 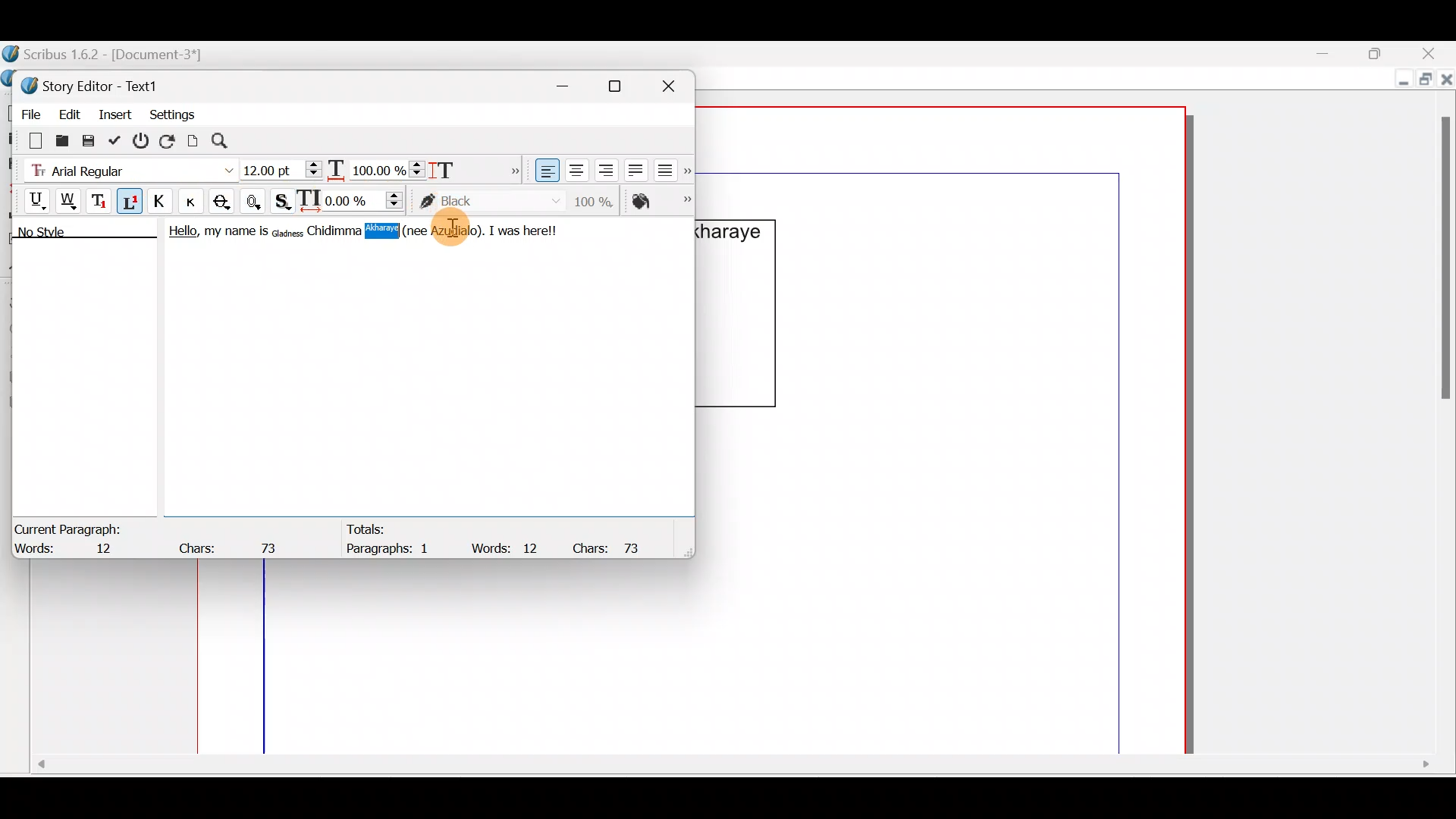 I want to click on Exit without updating text frame, so click(x=143, y=140).